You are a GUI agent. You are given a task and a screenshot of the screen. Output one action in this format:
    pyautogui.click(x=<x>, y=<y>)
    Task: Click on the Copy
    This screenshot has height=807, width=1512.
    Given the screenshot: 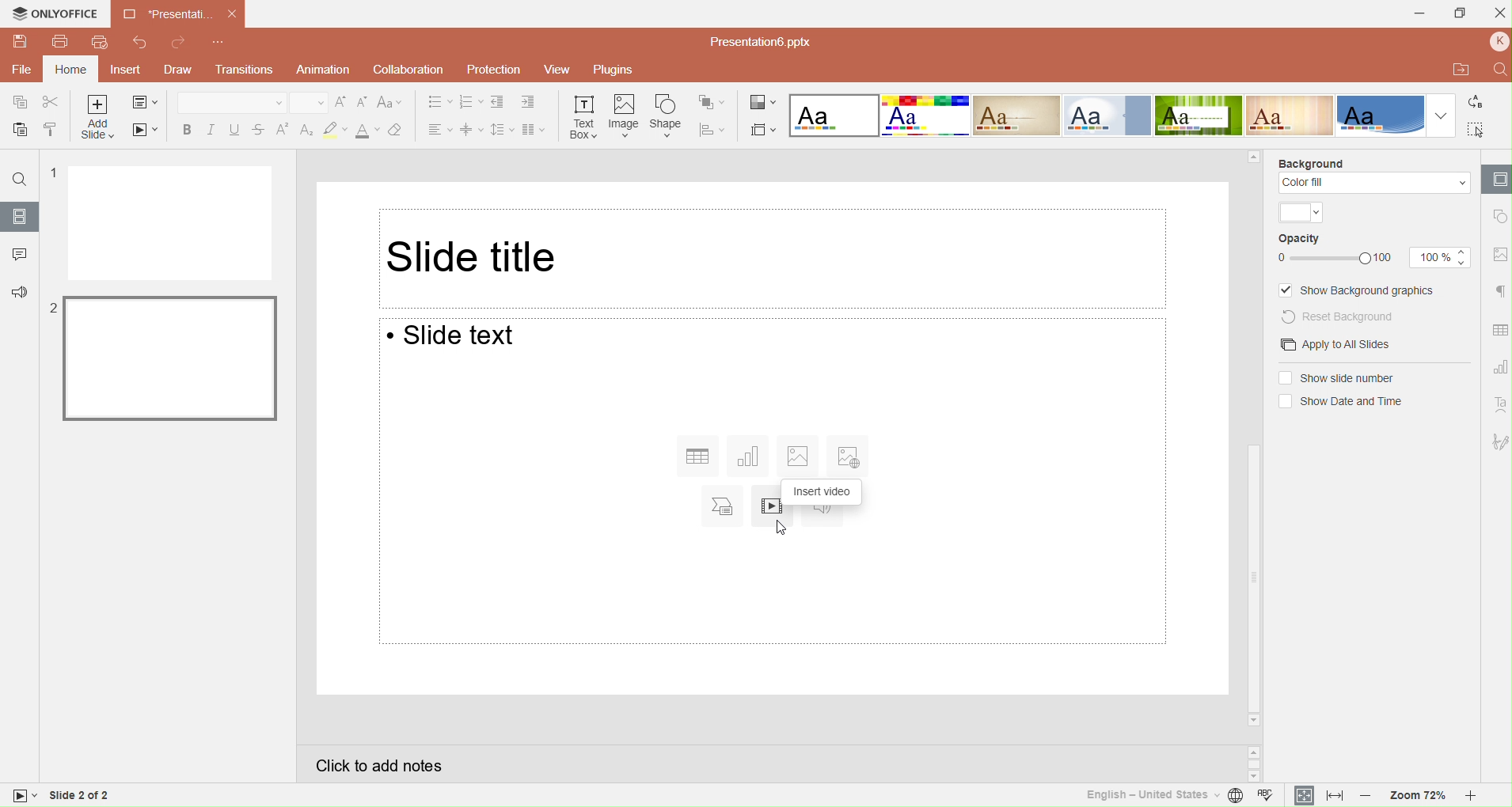 What is the action you would take?
    pyautogui.click(x=18, y=104)
    